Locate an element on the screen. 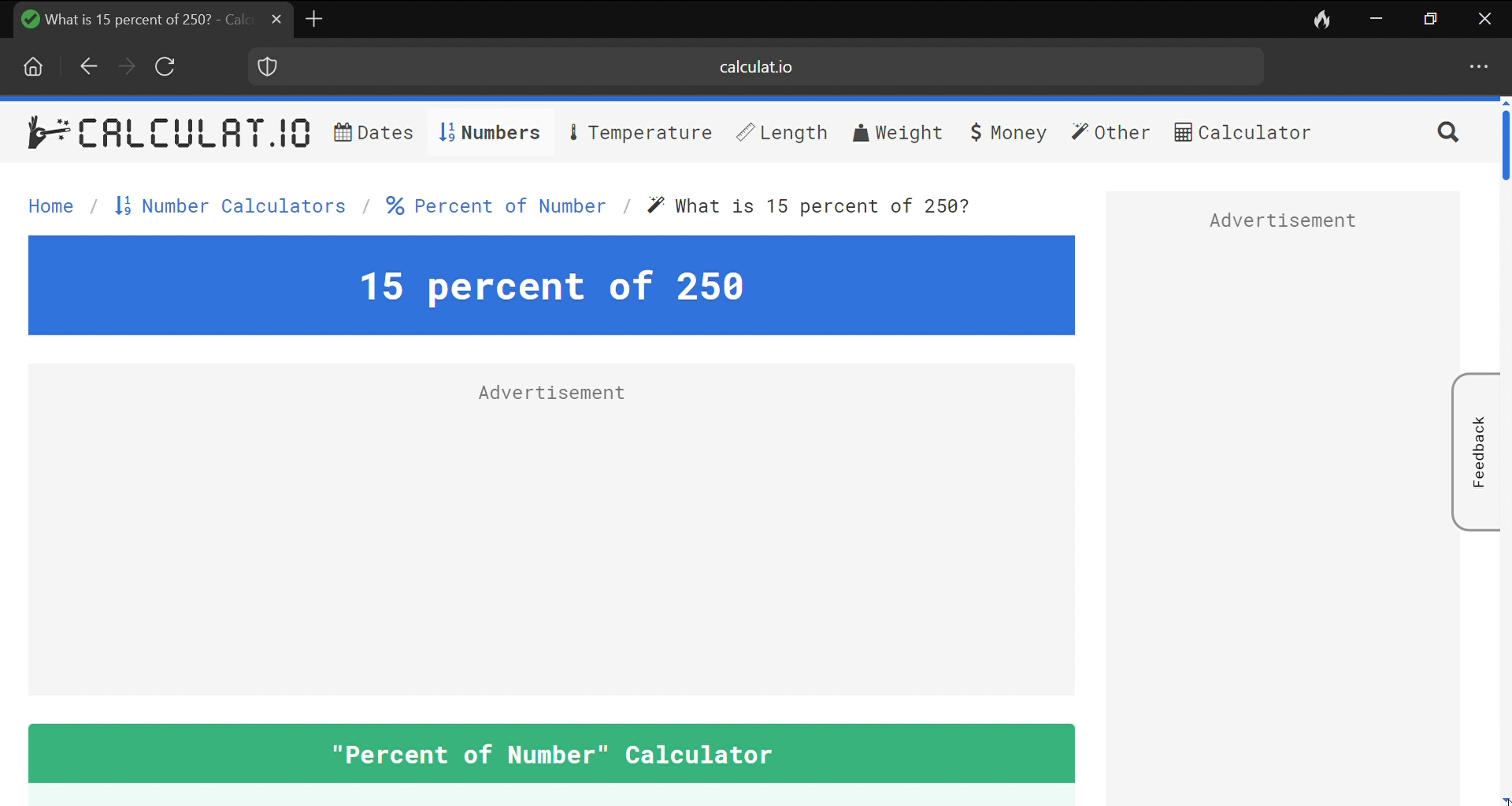 The height and width of the screenshot is (806, 1512). add new tab is located at coordinates (315, 17).